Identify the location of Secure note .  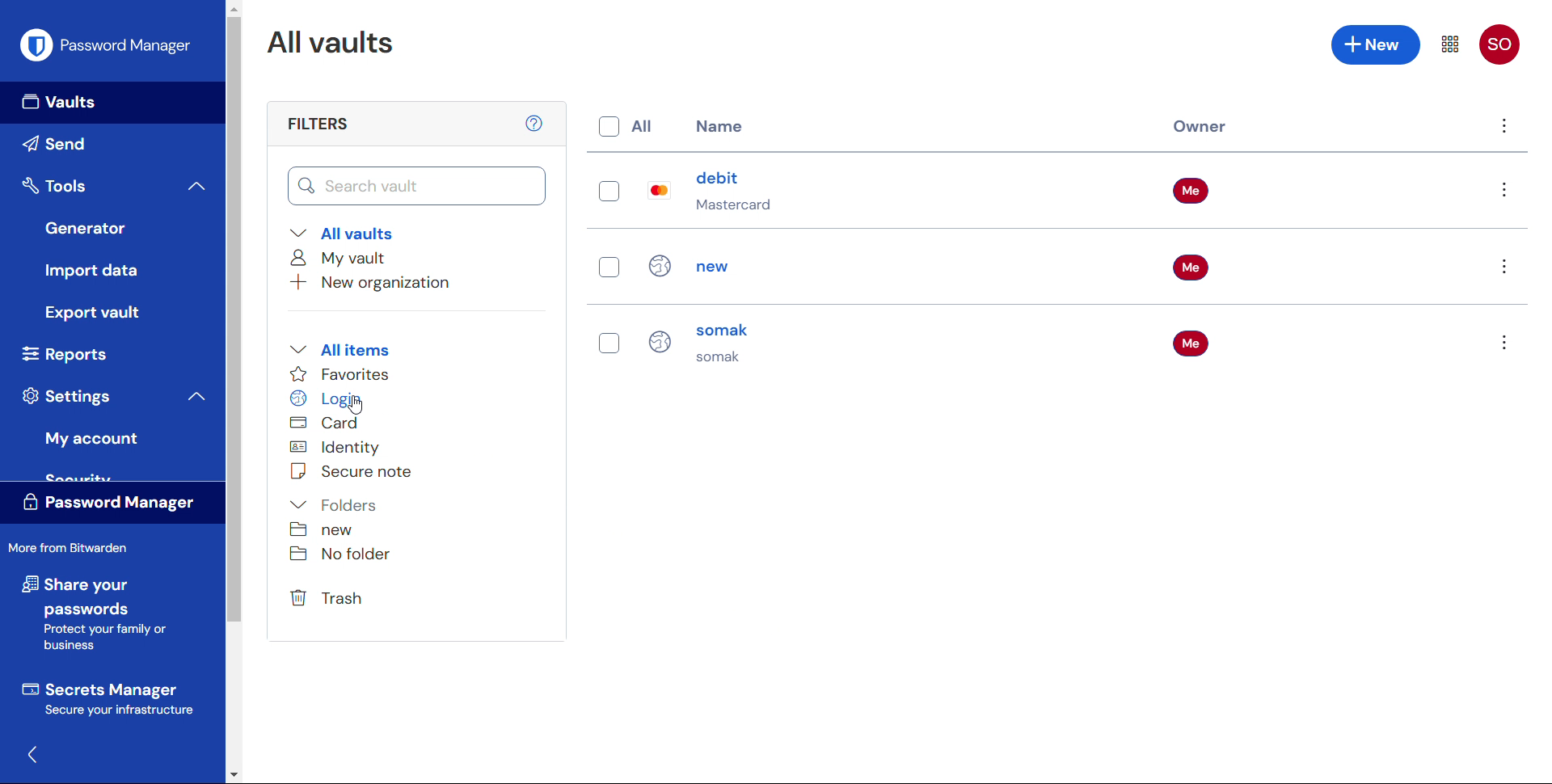
(352, 471).